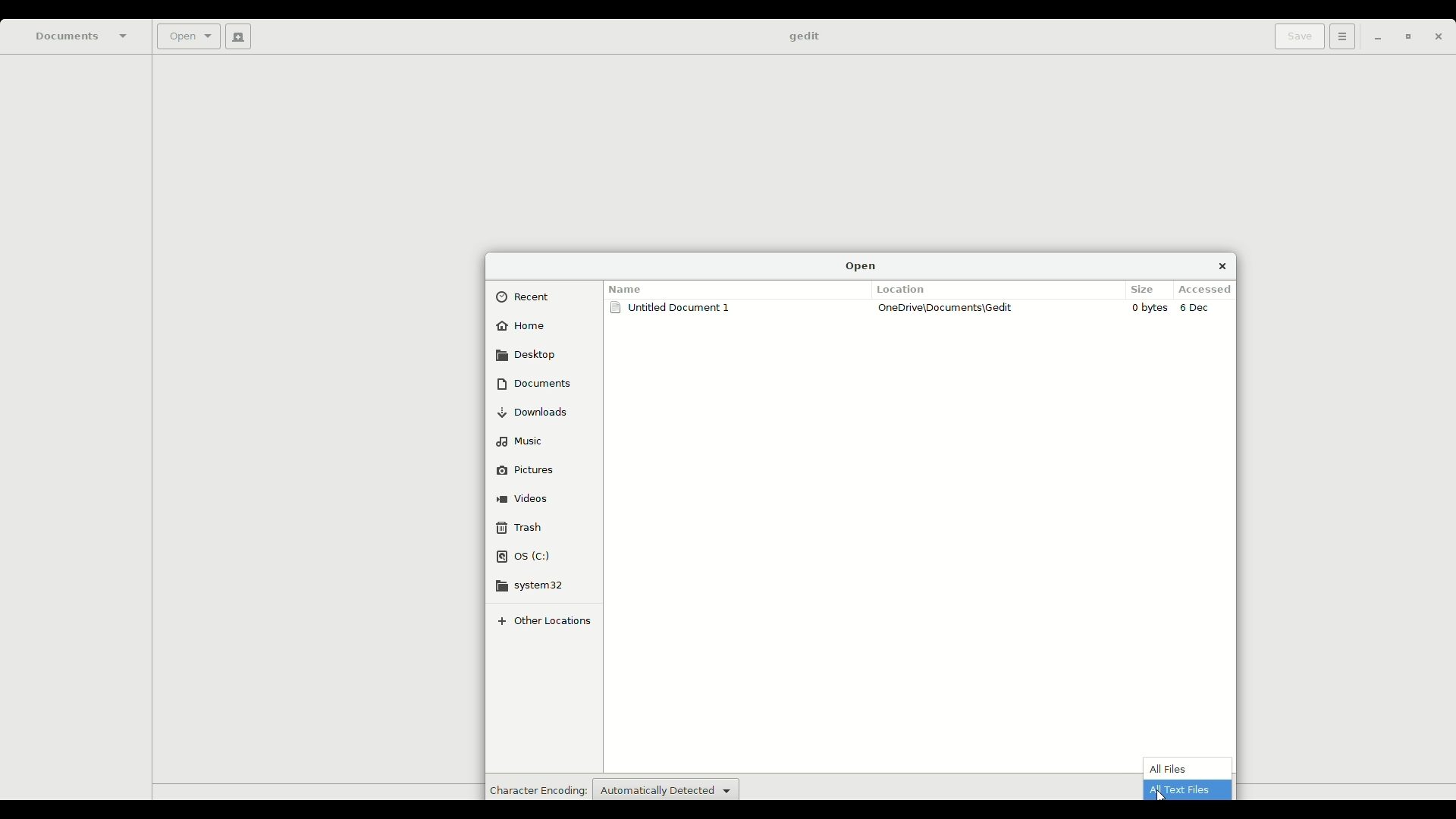 This screenshot has width=1456, height=819. Describe the element at coordinates (536, 789) in the screenshot. I see `Character encoding` at that location.